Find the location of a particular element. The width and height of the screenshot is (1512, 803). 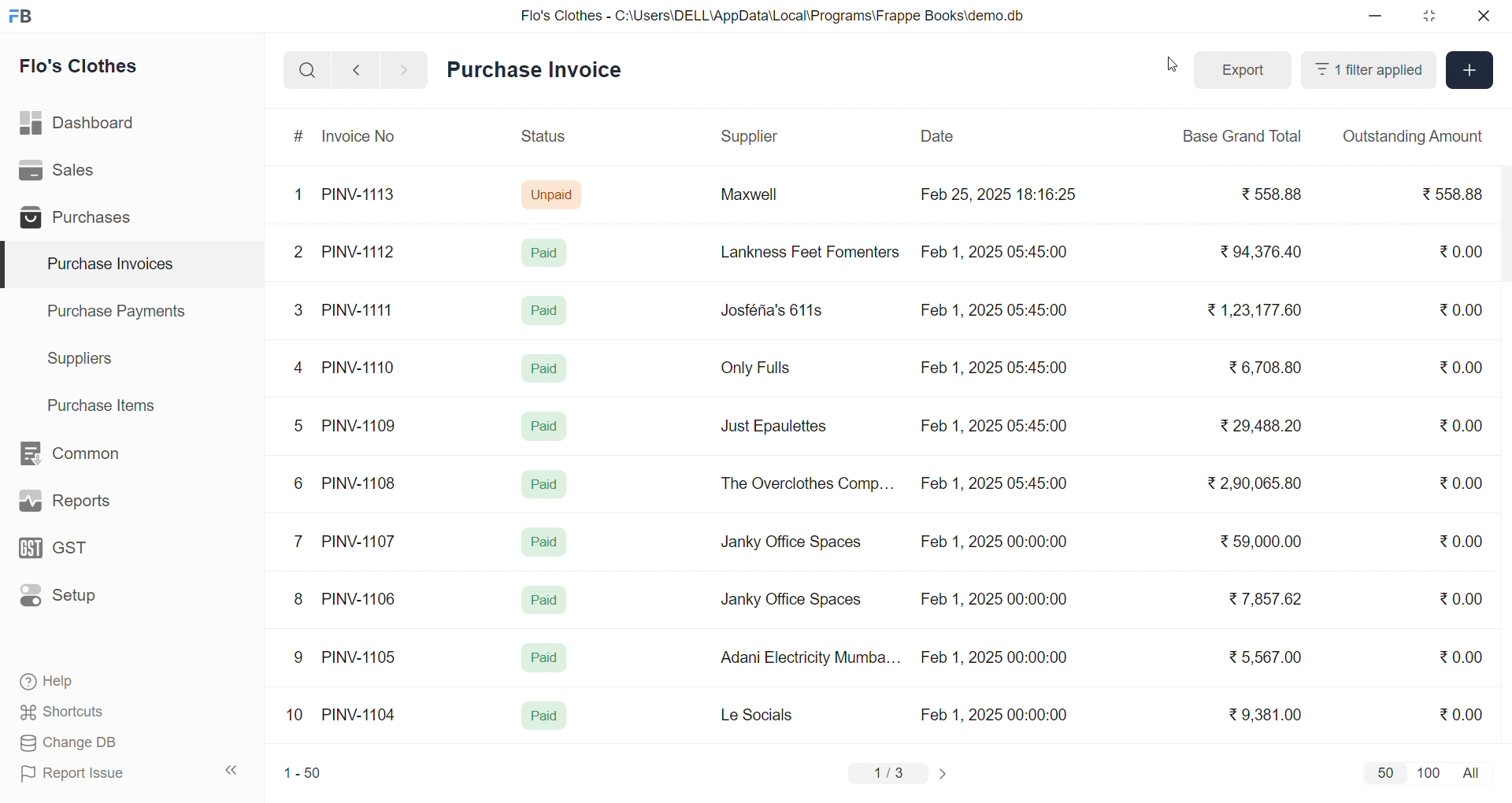

Outstanding Amount is located at coordinates (1412, 136).